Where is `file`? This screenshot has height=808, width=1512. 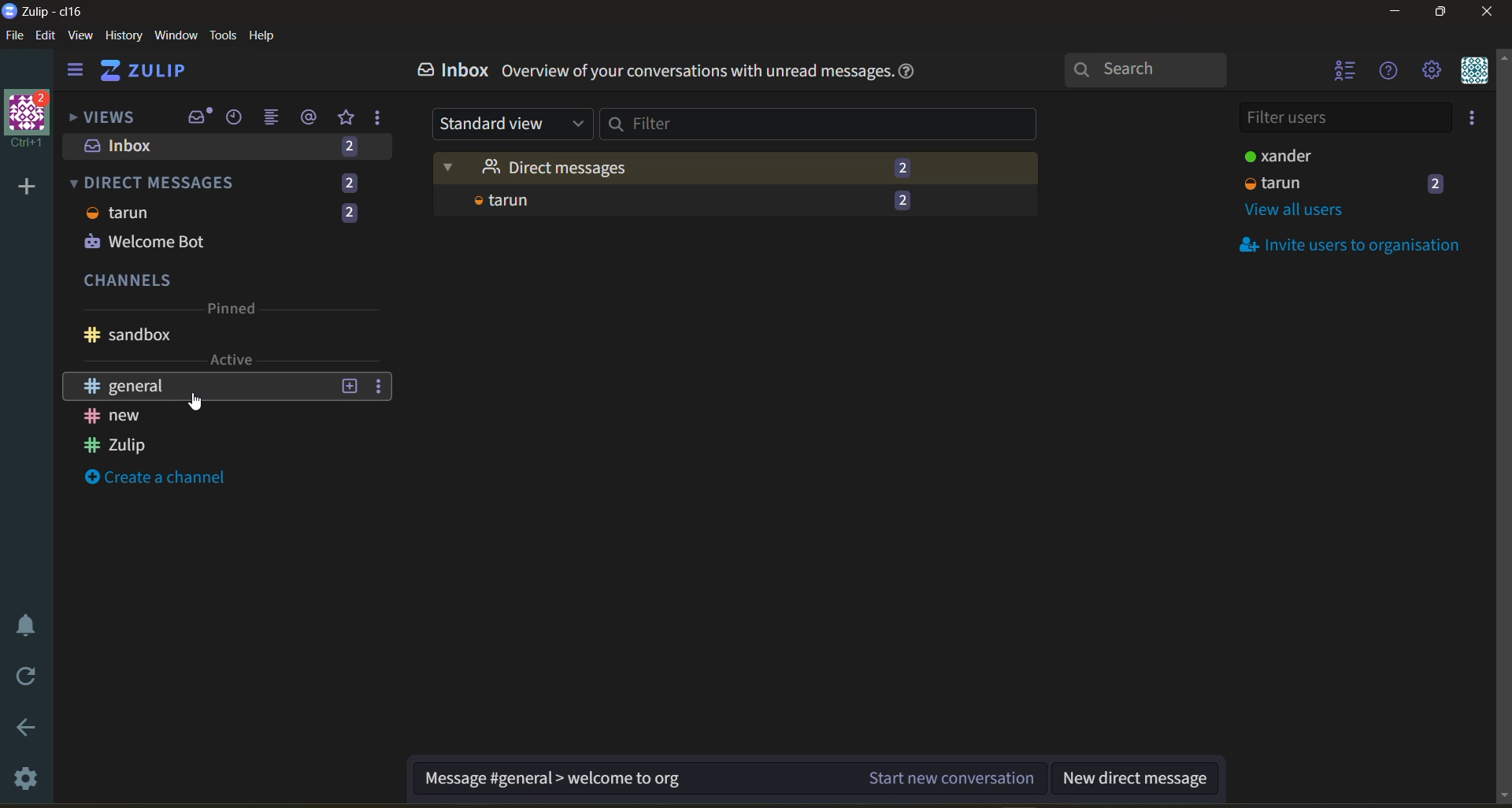
file is located at coordinates (16, 39).